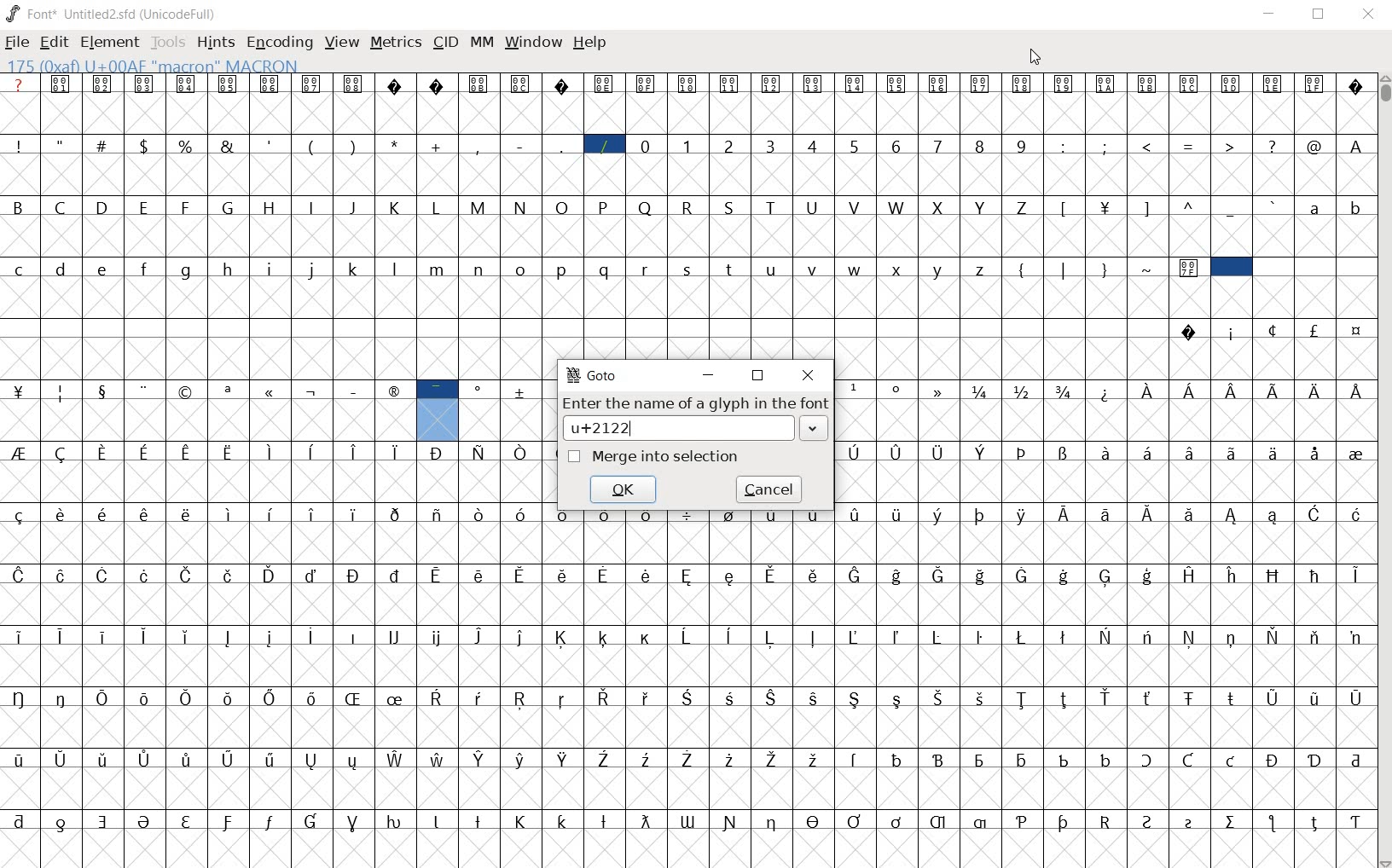  I want to click on accented characters, so click(876, 539).